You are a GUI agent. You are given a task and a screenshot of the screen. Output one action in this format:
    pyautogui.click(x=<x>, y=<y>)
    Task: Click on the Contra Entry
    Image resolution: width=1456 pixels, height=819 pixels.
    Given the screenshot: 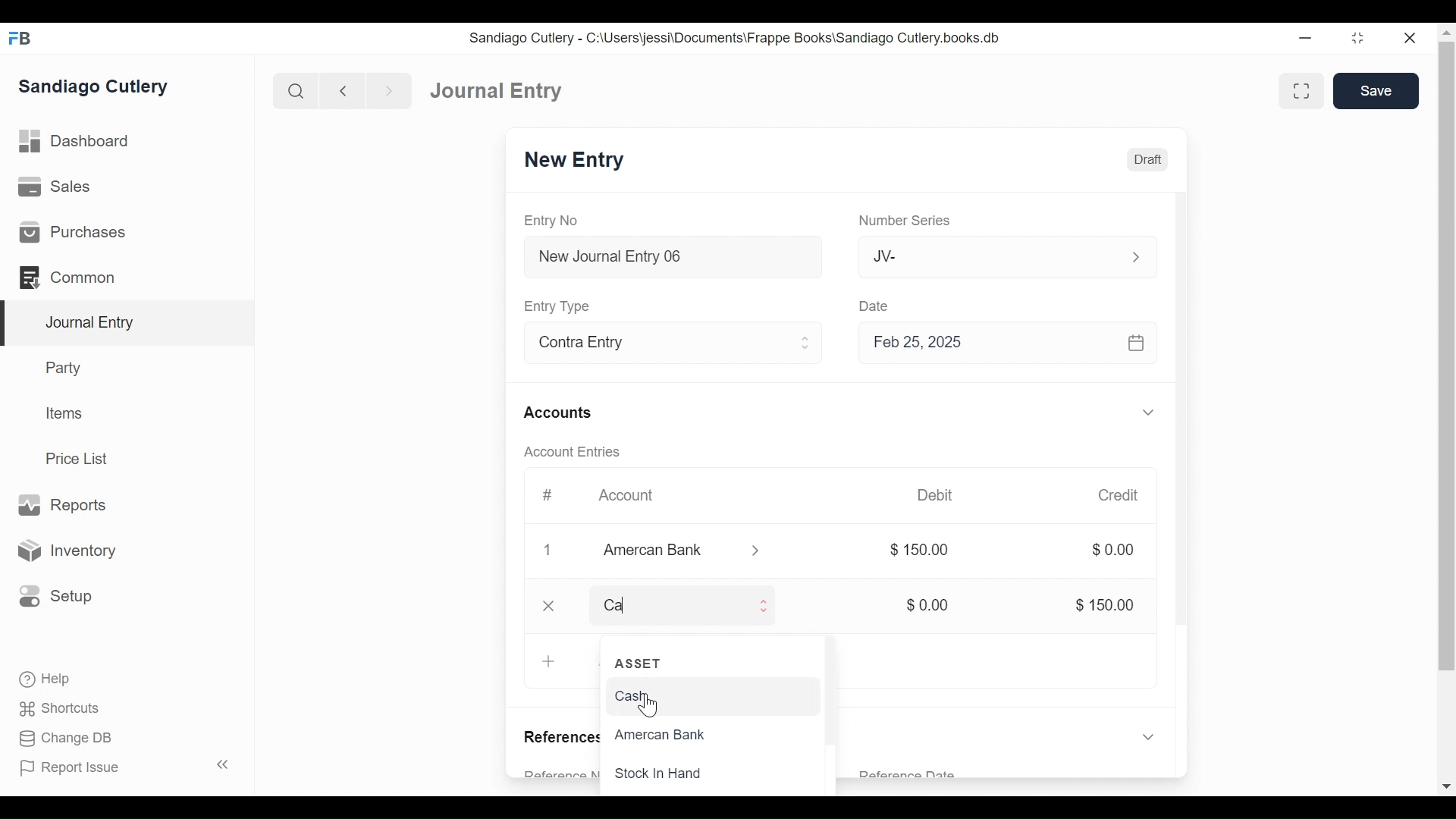 What is the action you would take?
    pyautogui.click(x=642, y=344)
    